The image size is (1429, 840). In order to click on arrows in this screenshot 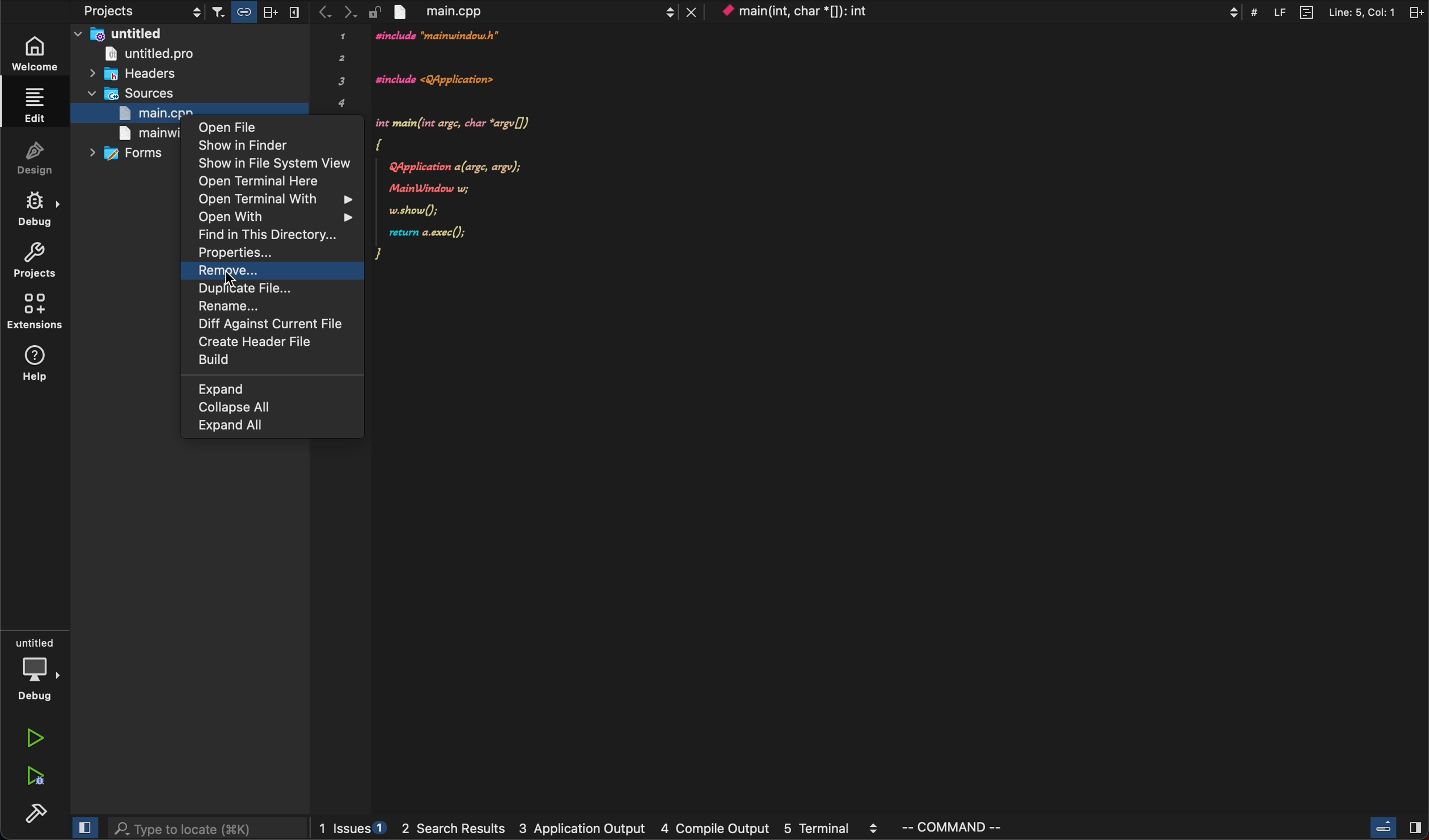, I will do `click(332, 12)`.